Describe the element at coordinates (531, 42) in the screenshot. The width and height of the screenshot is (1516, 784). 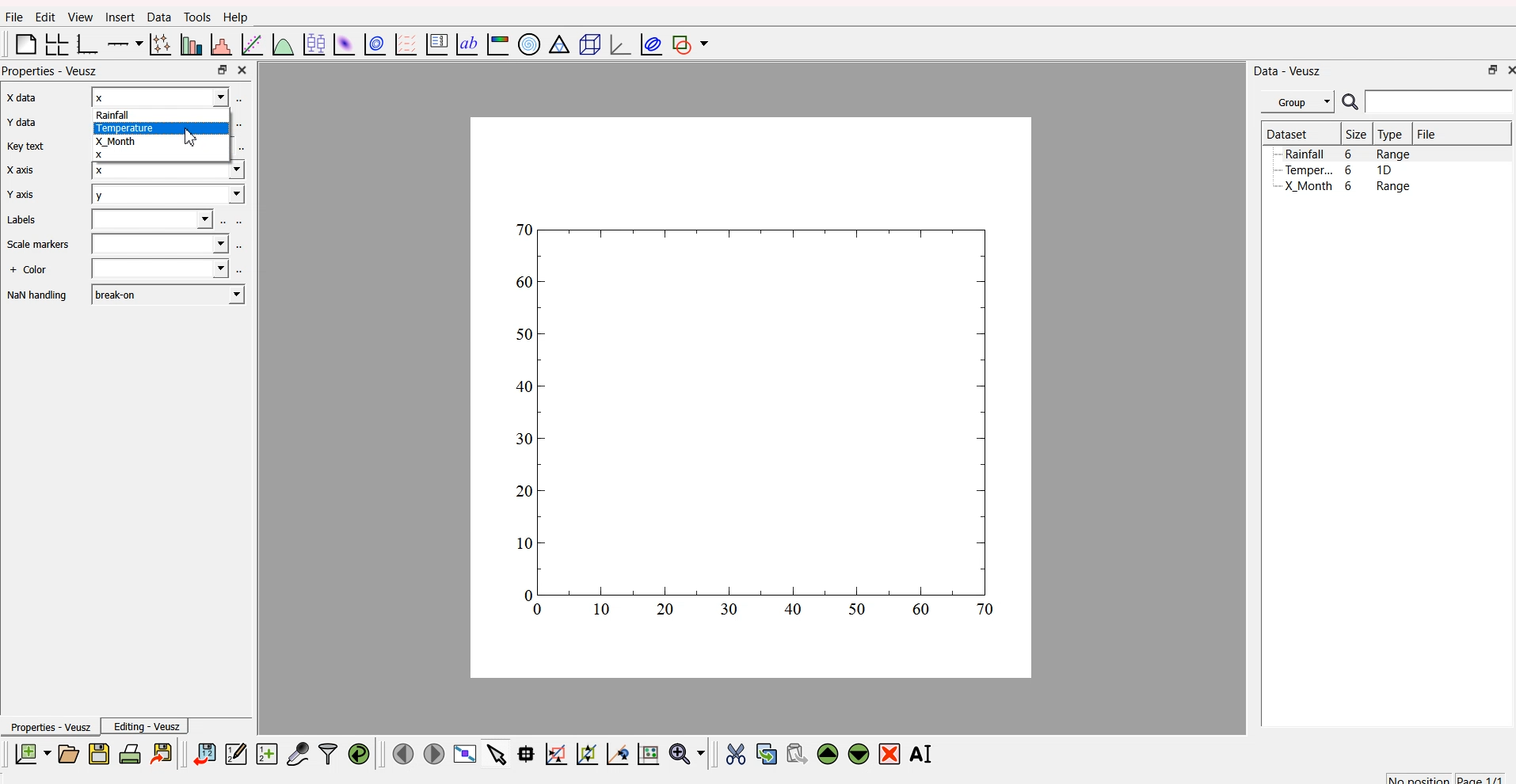
I see `polar graph` at that location.